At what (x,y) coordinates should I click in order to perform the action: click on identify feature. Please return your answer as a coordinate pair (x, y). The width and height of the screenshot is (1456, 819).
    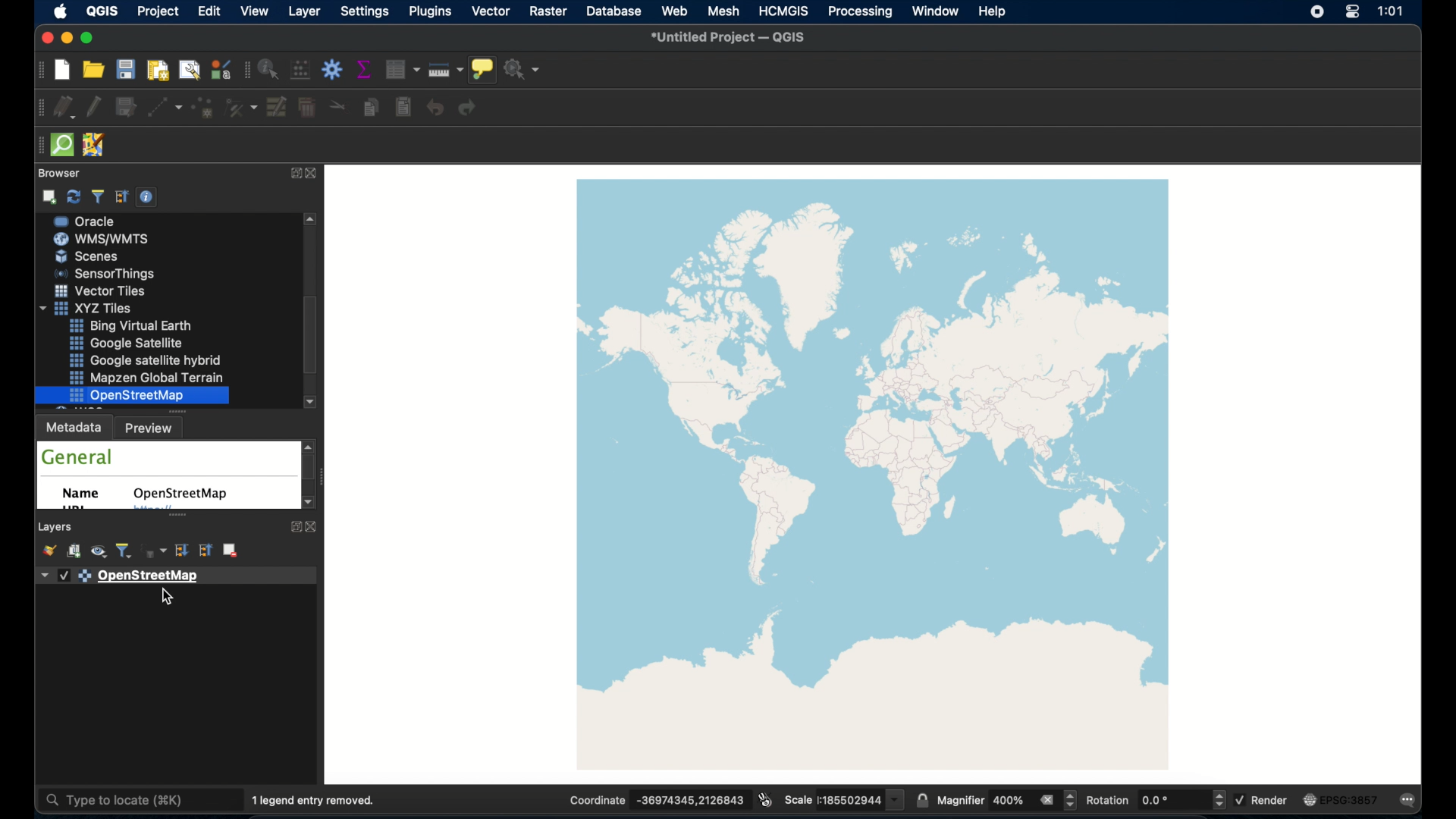
    Looking at the image, I should click on (268, 71).